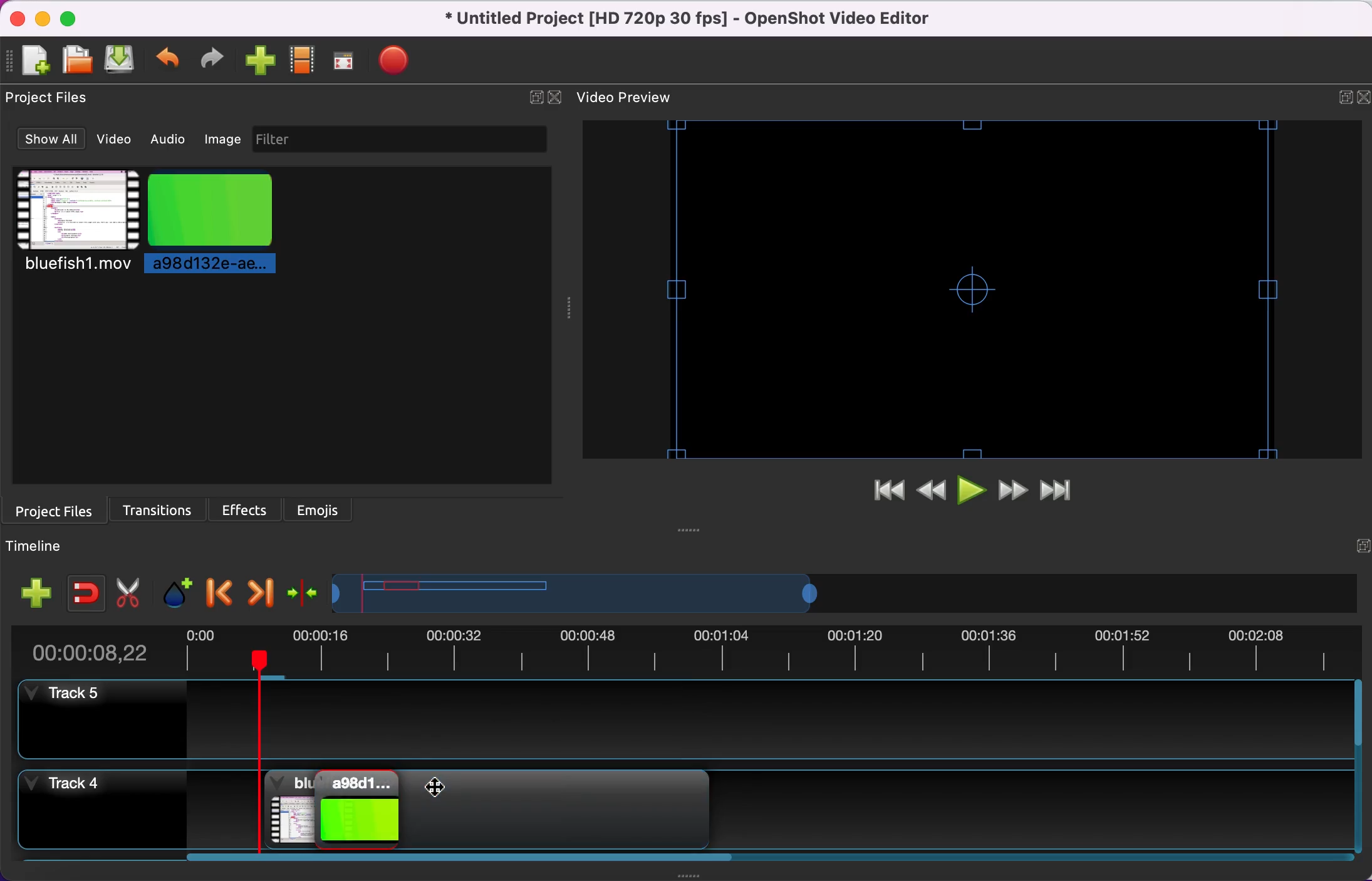 This screenshot has width=1372, height=881. What do you see at coordinates (888, 492) in the screenshot?
I see `jump to start` at bounding box center [888, 492].